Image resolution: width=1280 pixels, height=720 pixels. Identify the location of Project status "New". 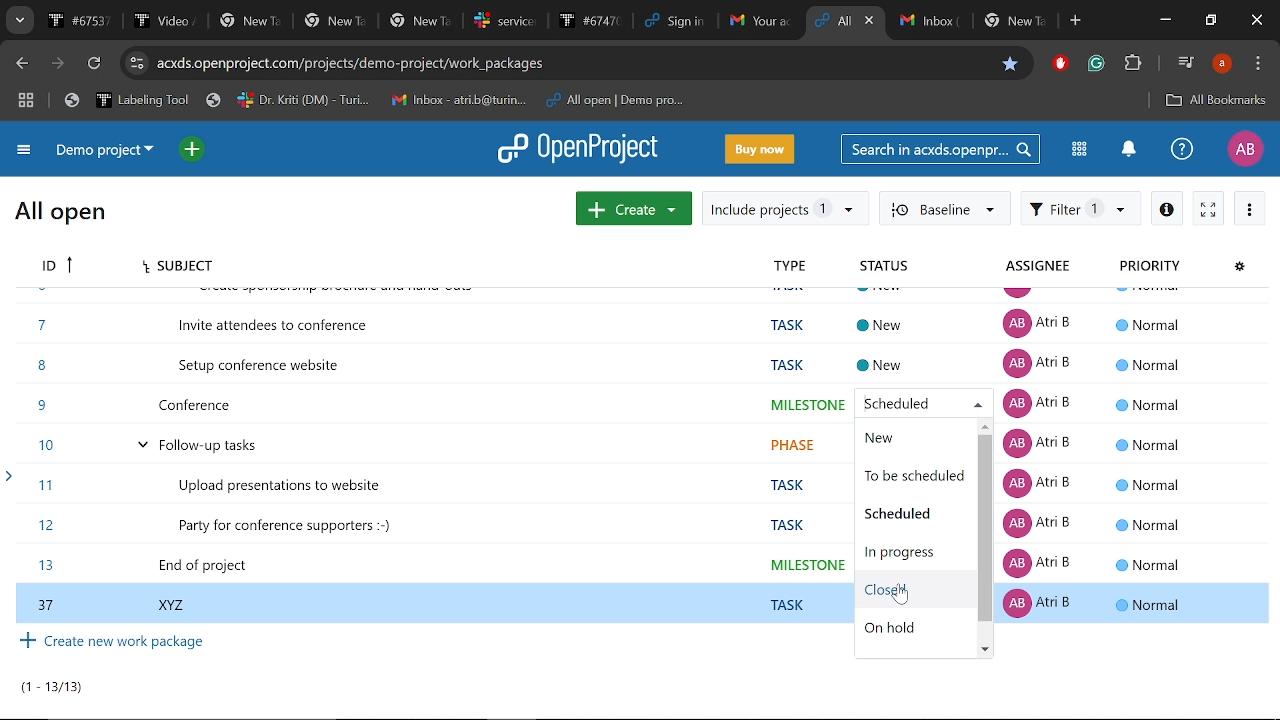
(910, 441).